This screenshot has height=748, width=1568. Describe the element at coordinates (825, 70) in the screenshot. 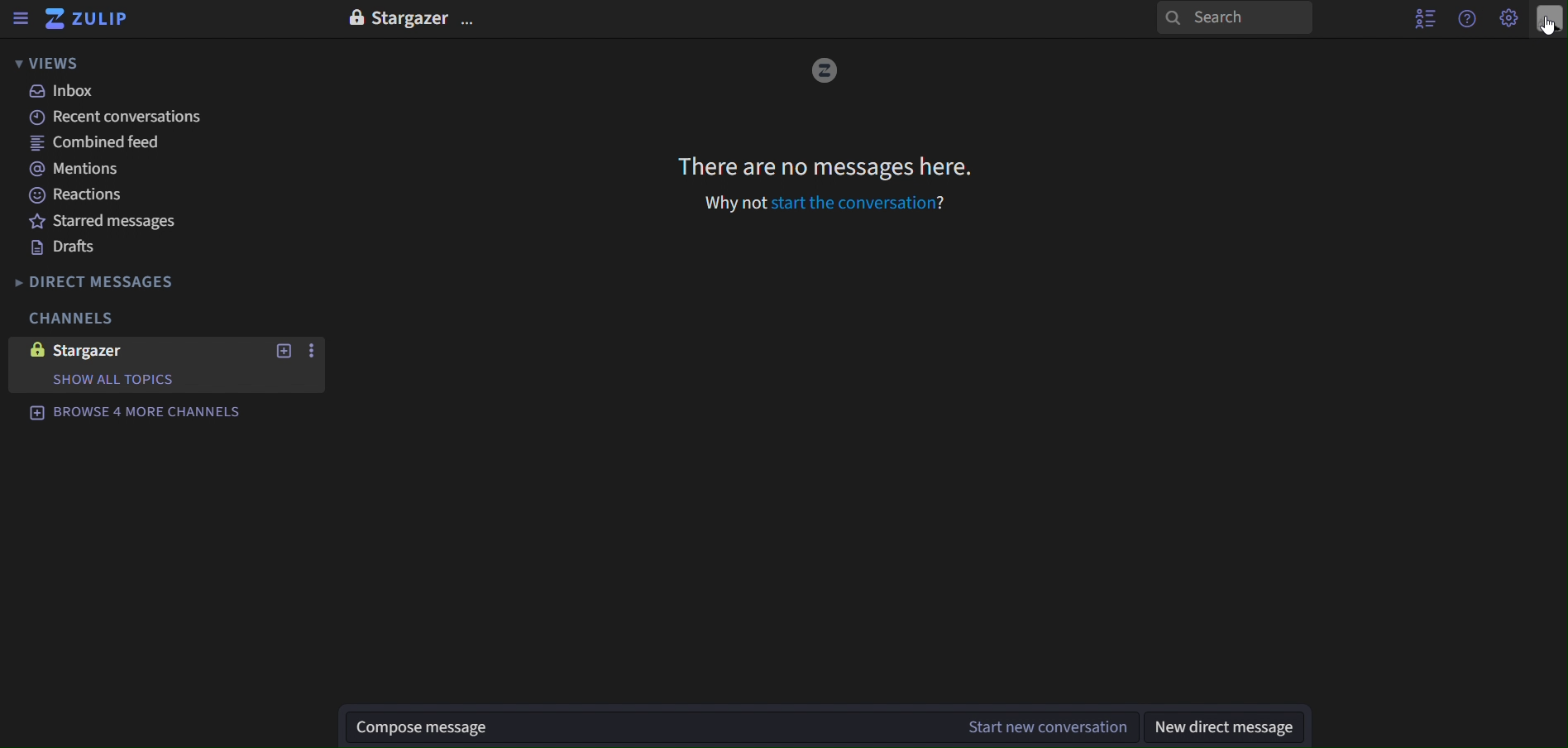

I see `image` at that location.